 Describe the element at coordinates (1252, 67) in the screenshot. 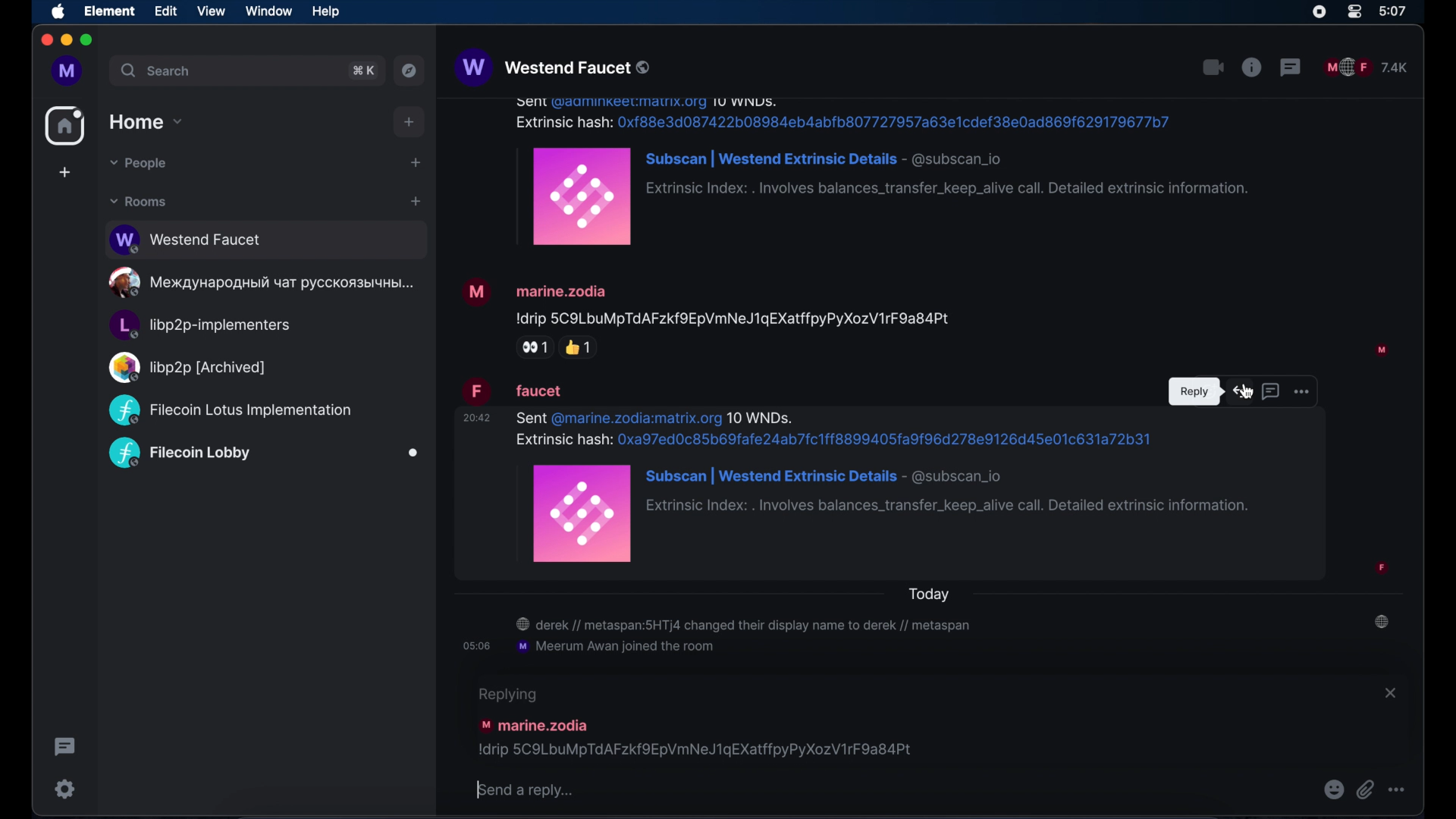

I see `public room properties` at that location.